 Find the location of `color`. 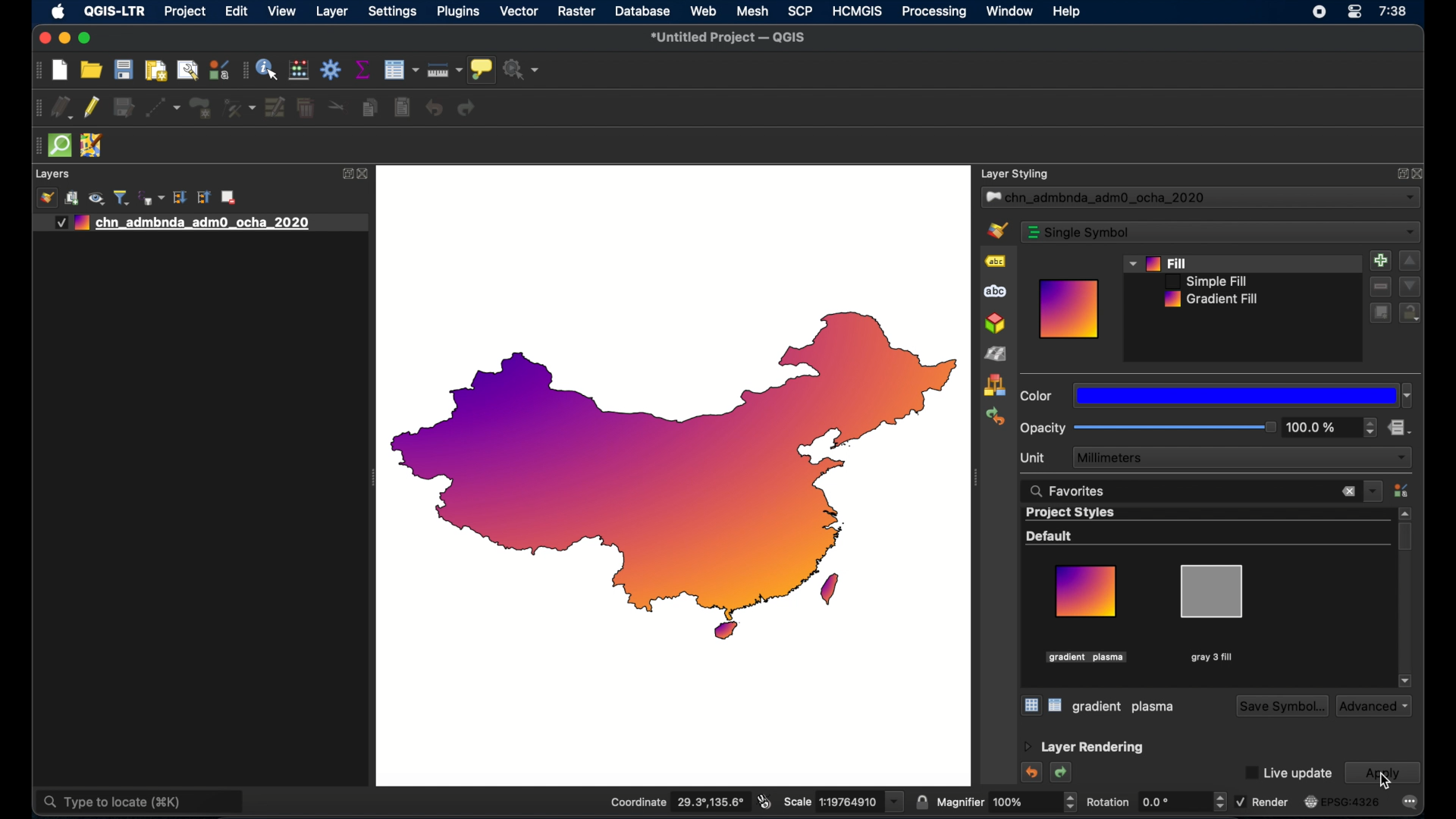

color is located at coordinates (1037, 396).